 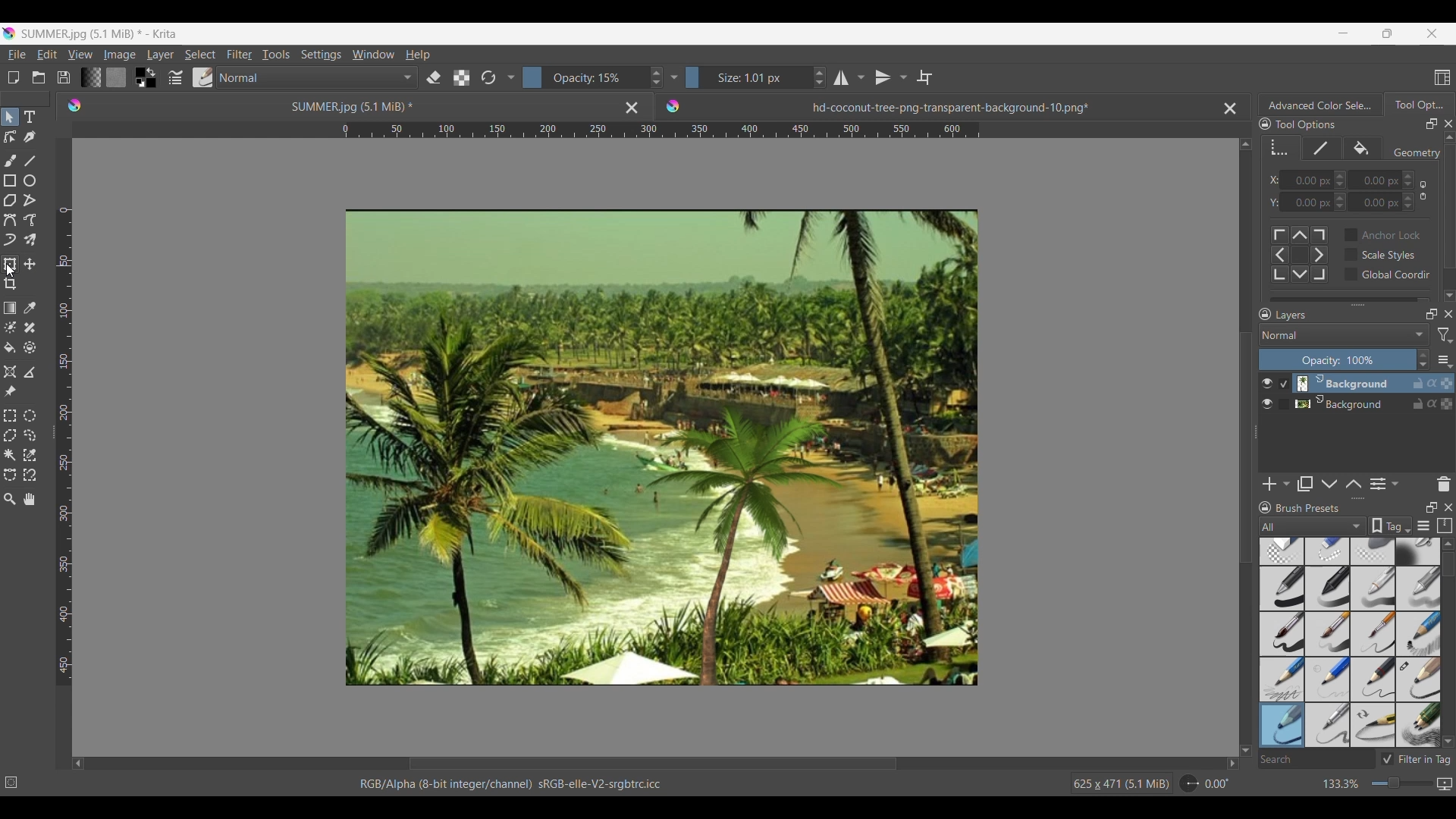 I want to click on X, so click(x=1270, y=180).